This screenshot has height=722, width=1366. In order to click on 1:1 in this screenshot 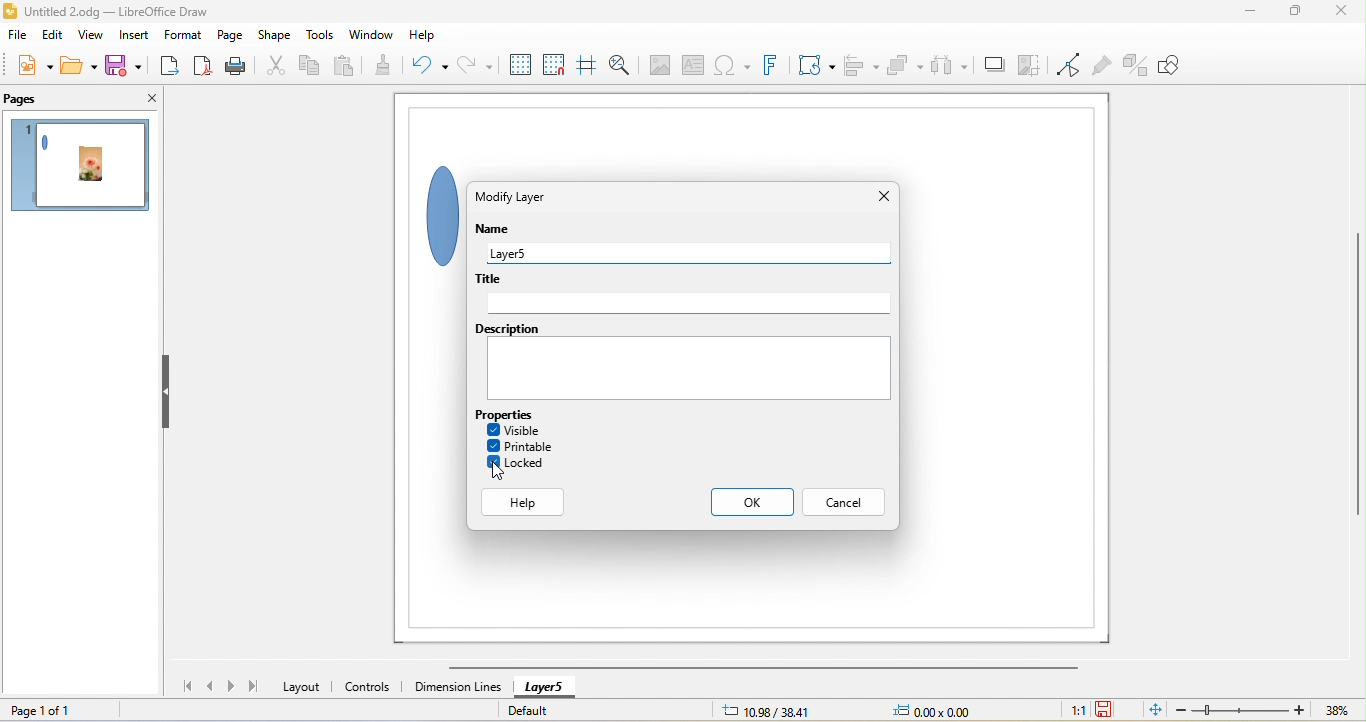, I will do `click(1076, 710)`.